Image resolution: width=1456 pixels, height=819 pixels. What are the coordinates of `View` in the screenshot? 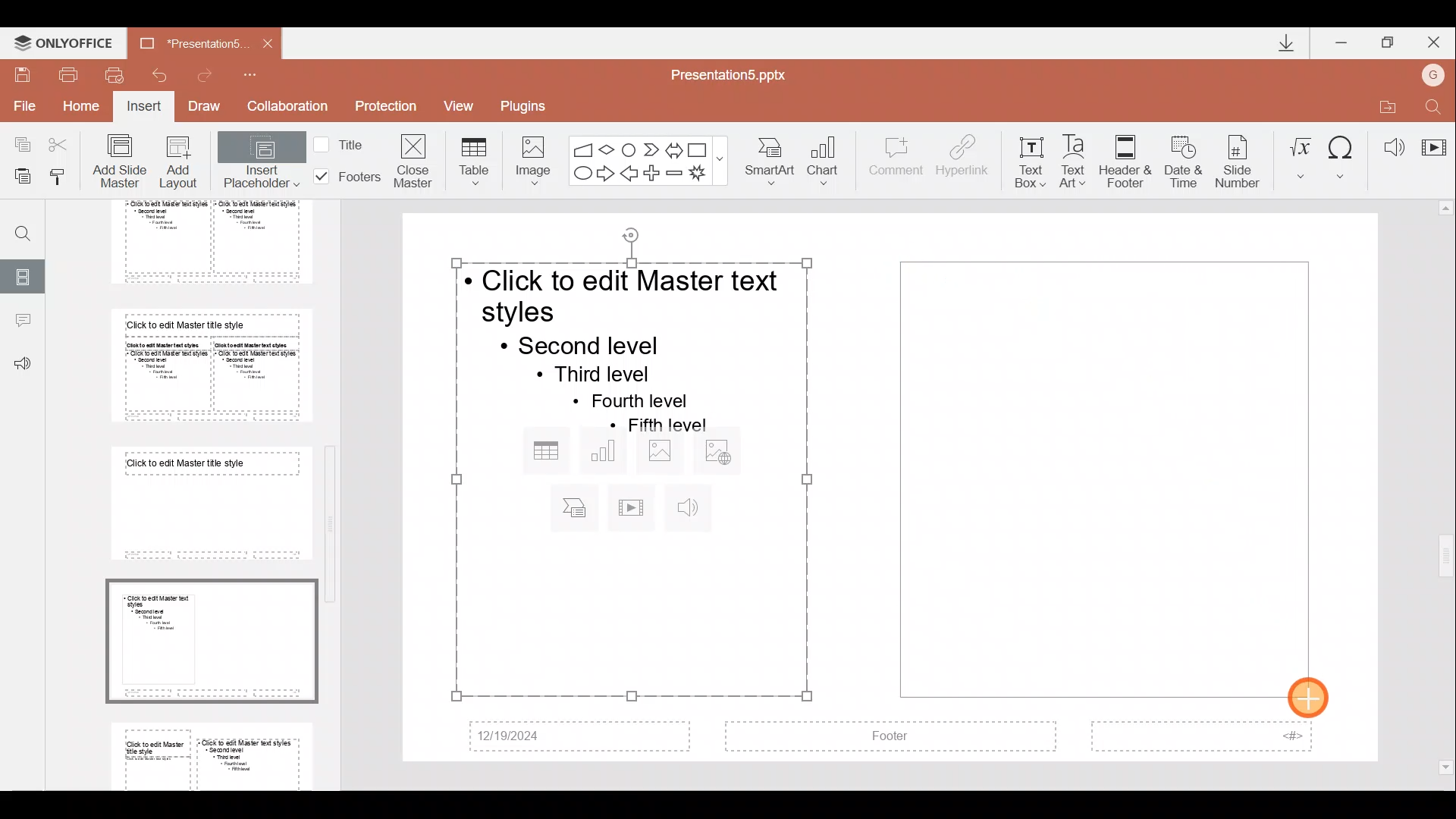 It's located at (464, 105).